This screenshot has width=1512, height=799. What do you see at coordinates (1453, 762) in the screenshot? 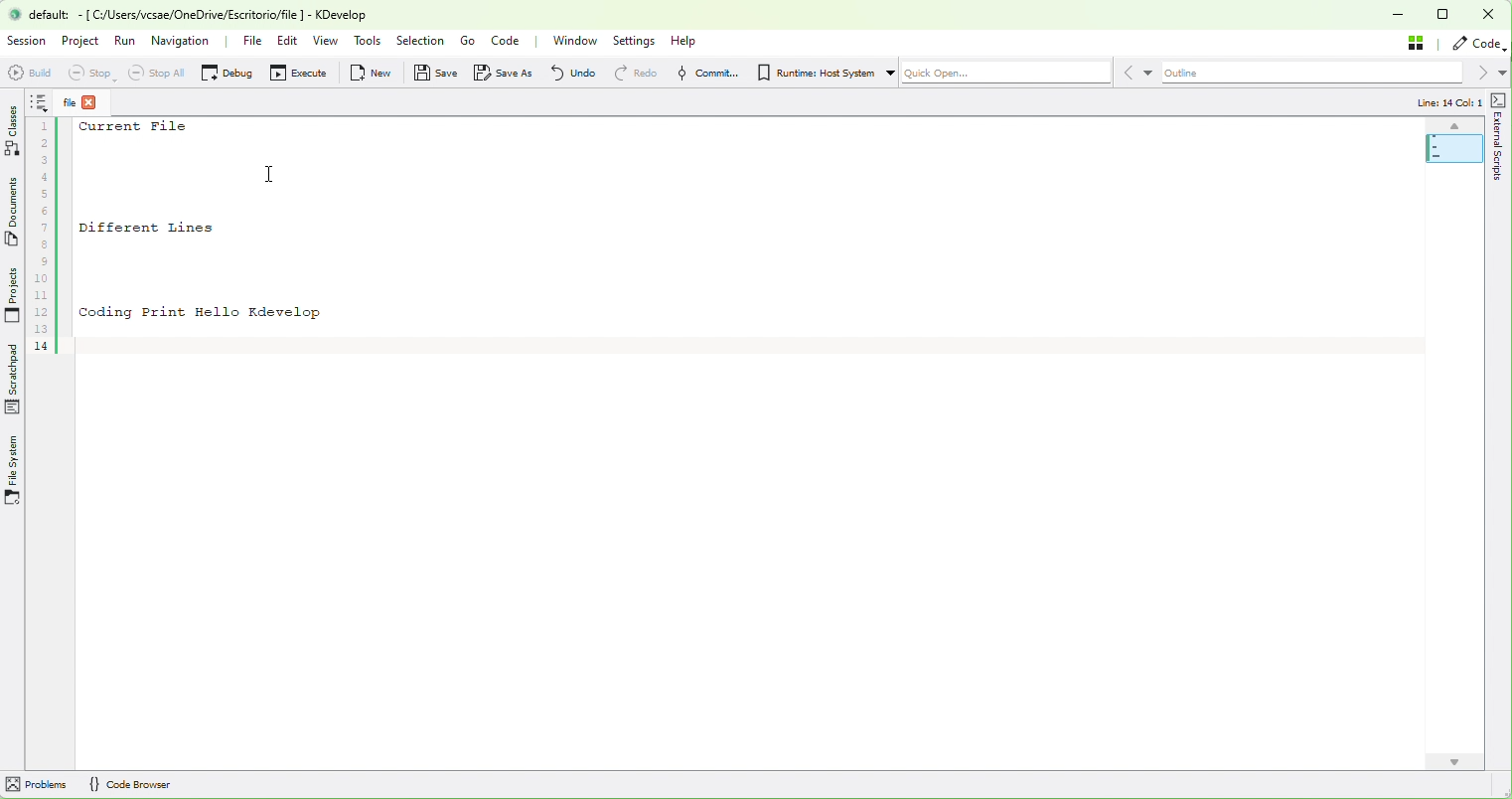
I see `down` at bounding box center [1453, 762].